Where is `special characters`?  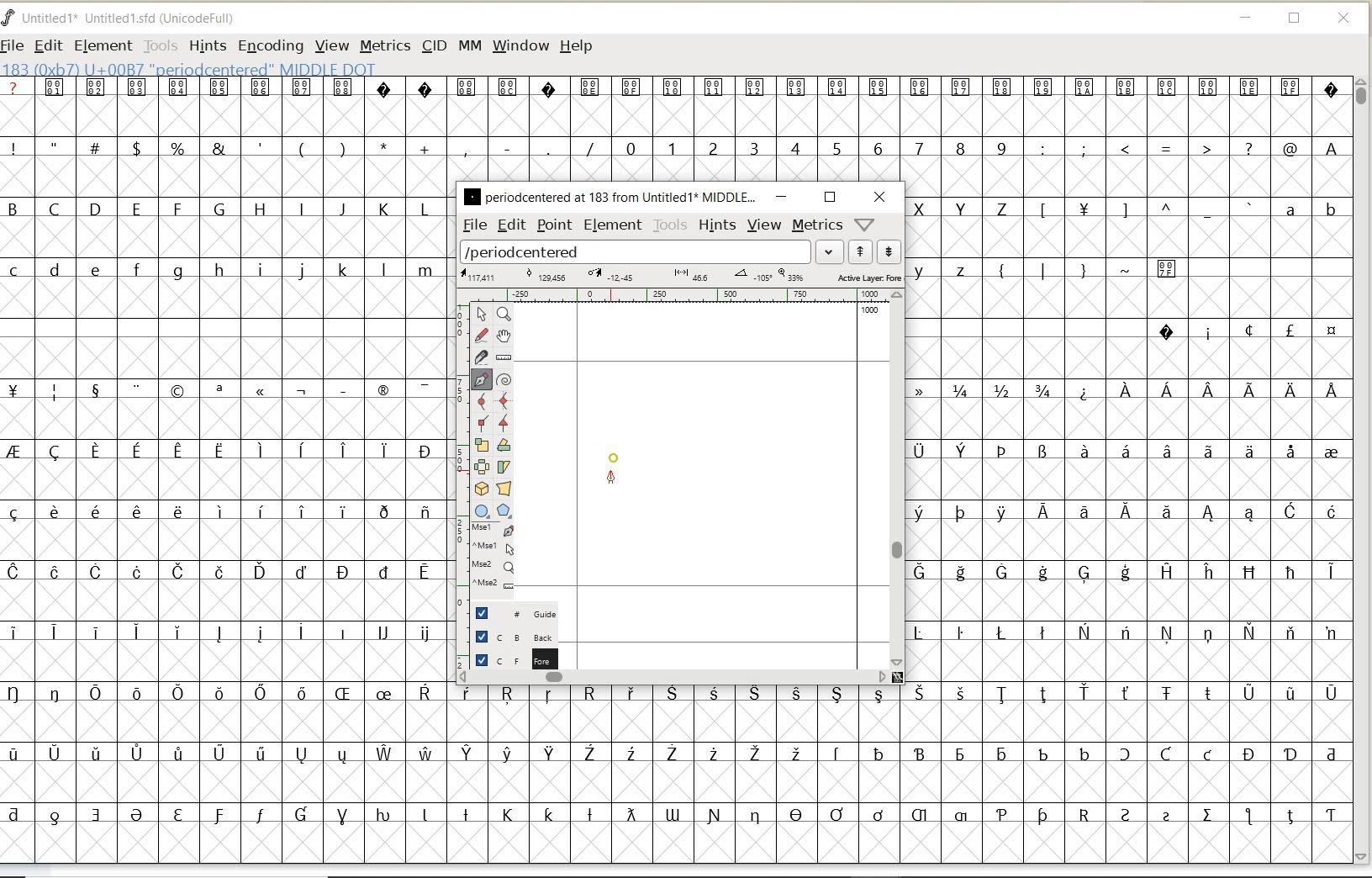
special characters is located at coordinates (895, 761).